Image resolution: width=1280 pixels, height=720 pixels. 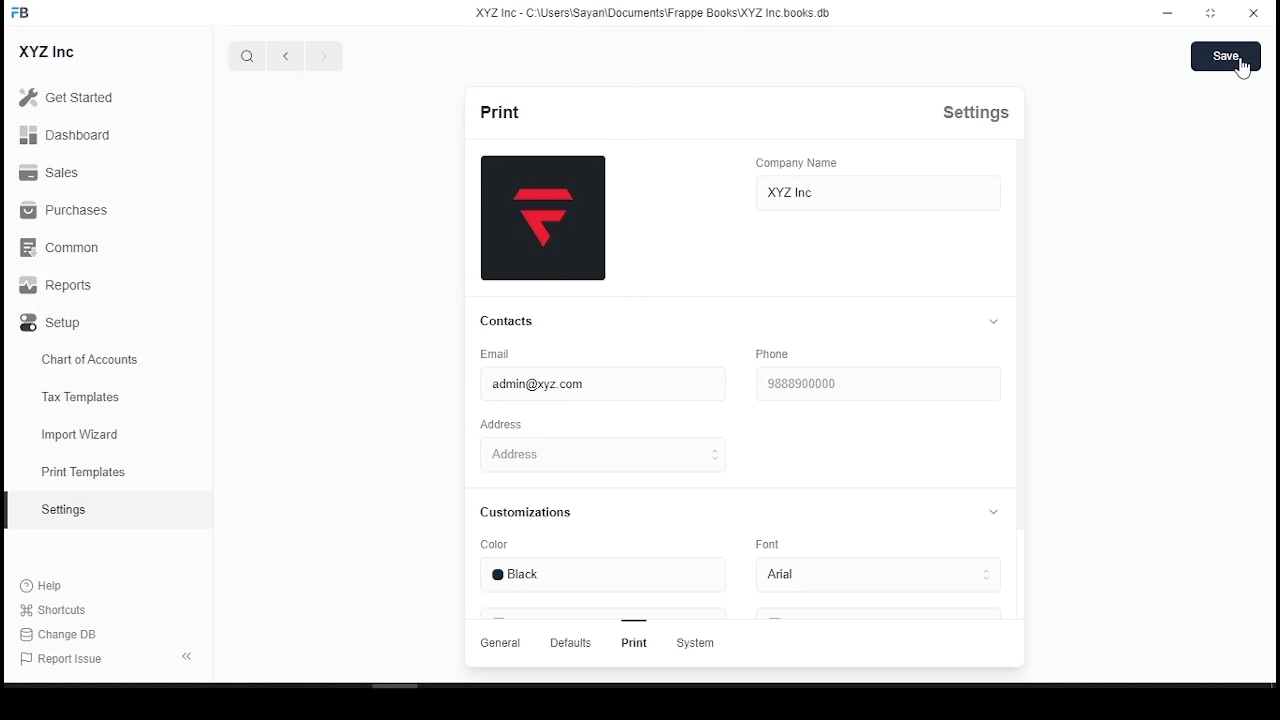 What do you see at coordinates (523, 512) in the screenshot?
I see `Customizations` at bounding box center [523, 512].